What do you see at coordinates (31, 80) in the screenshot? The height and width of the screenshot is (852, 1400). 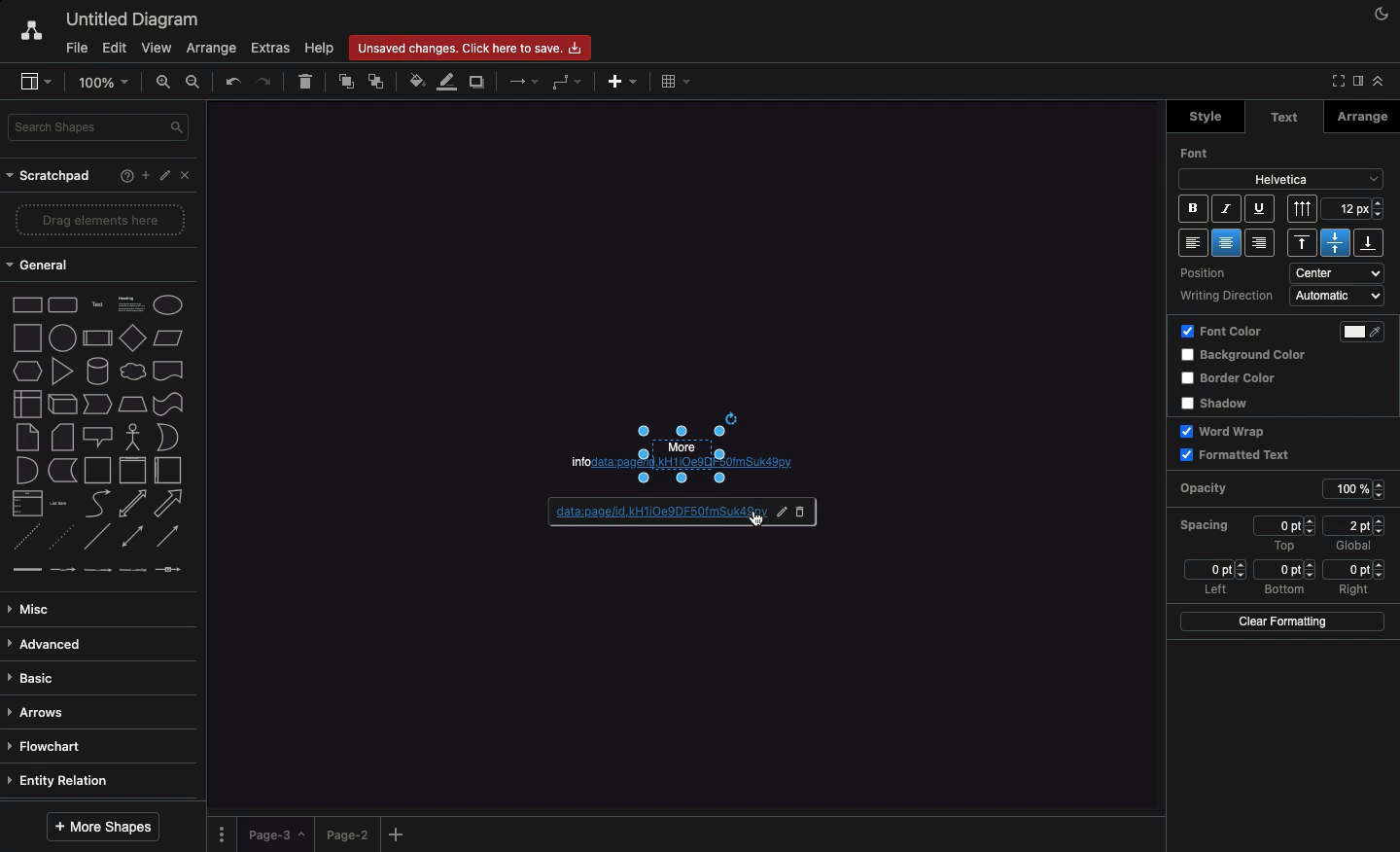 I see `Sidebar` at bounding box center [31, 80].